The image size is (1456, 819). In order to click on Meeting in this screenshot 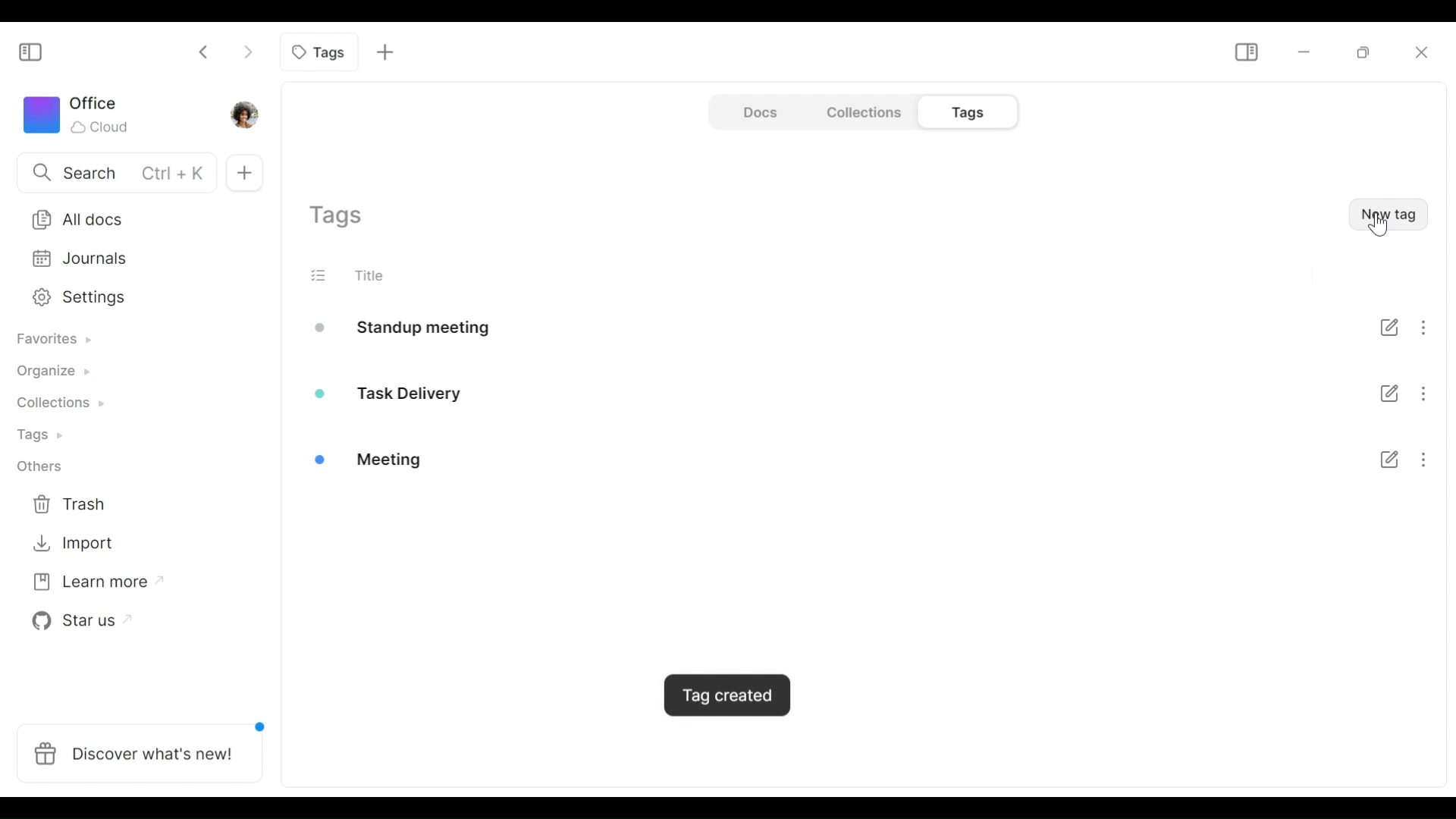, I will do `click(390, 460)`.